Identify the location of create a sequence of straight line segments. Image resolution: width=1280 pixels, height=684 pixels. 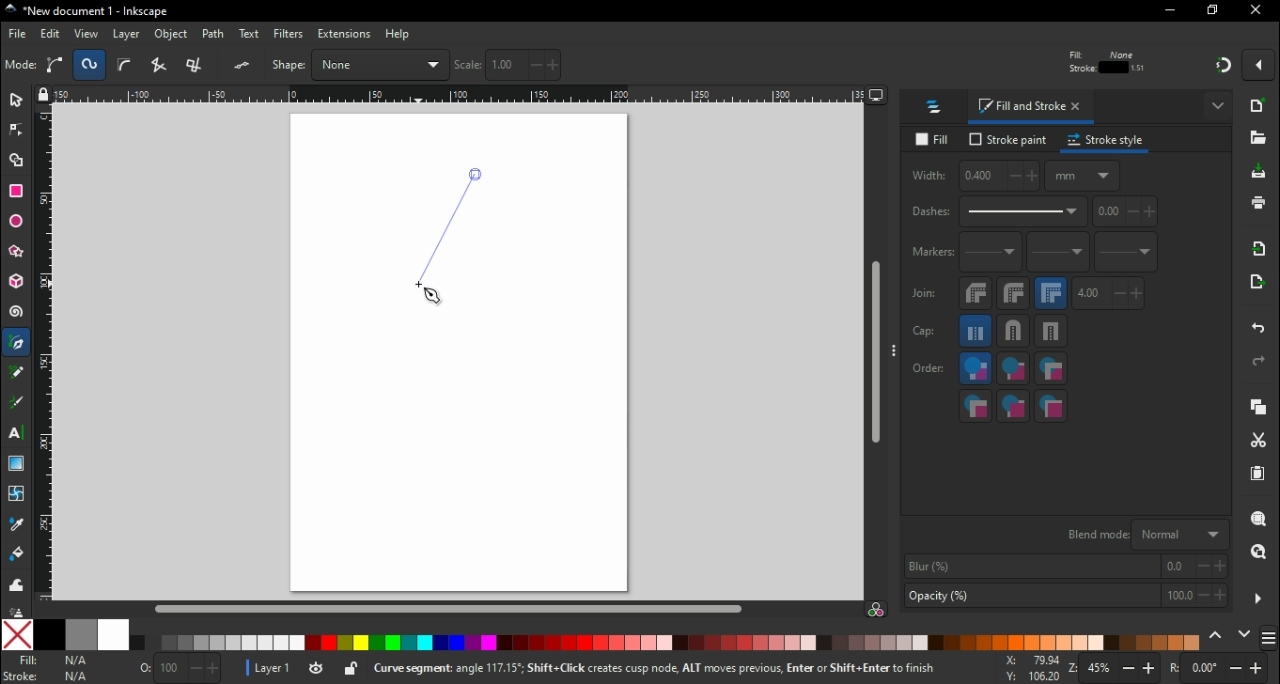
(162, 65).